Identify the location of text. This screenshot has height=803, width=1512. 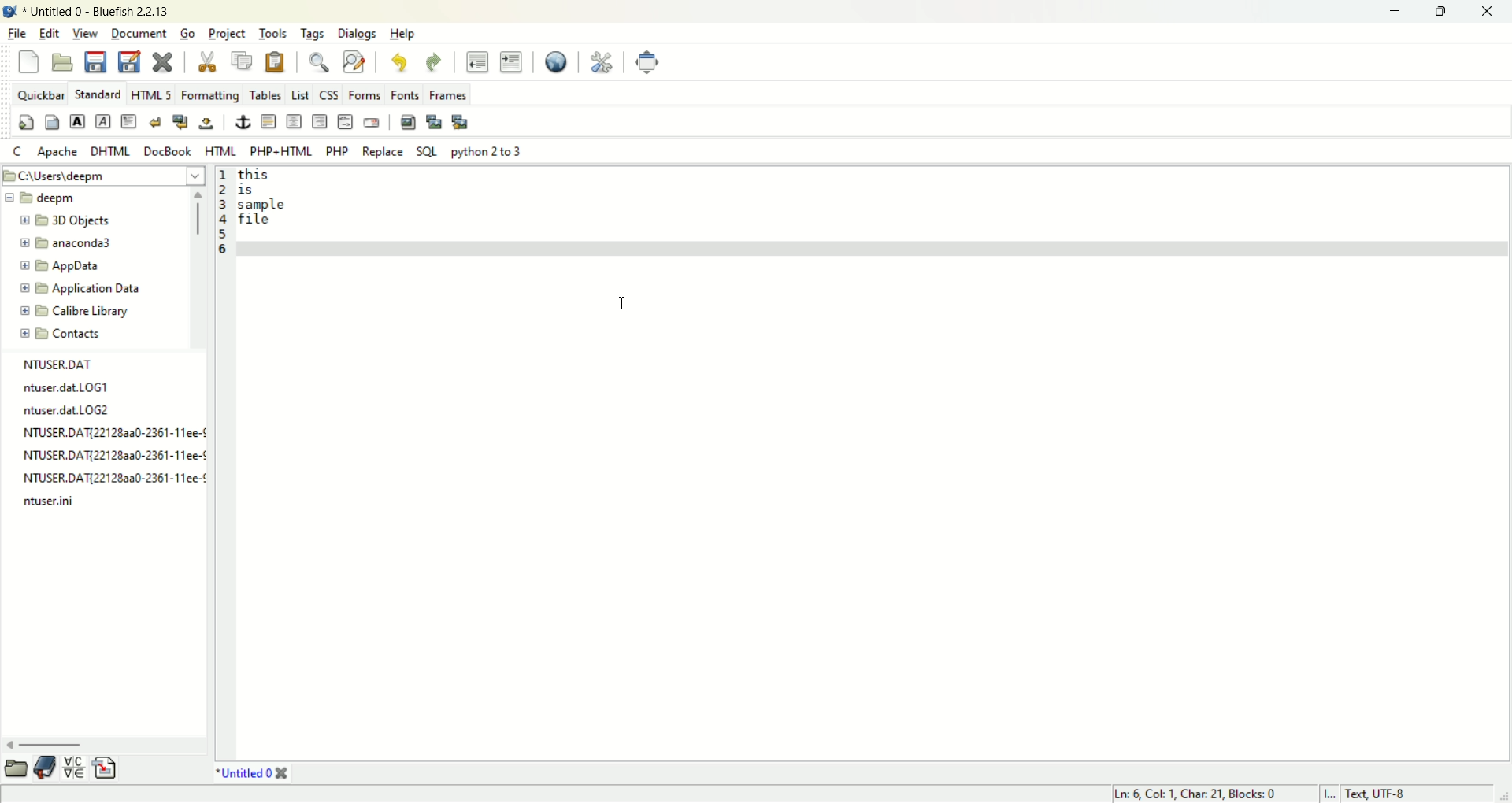
(108, 435).